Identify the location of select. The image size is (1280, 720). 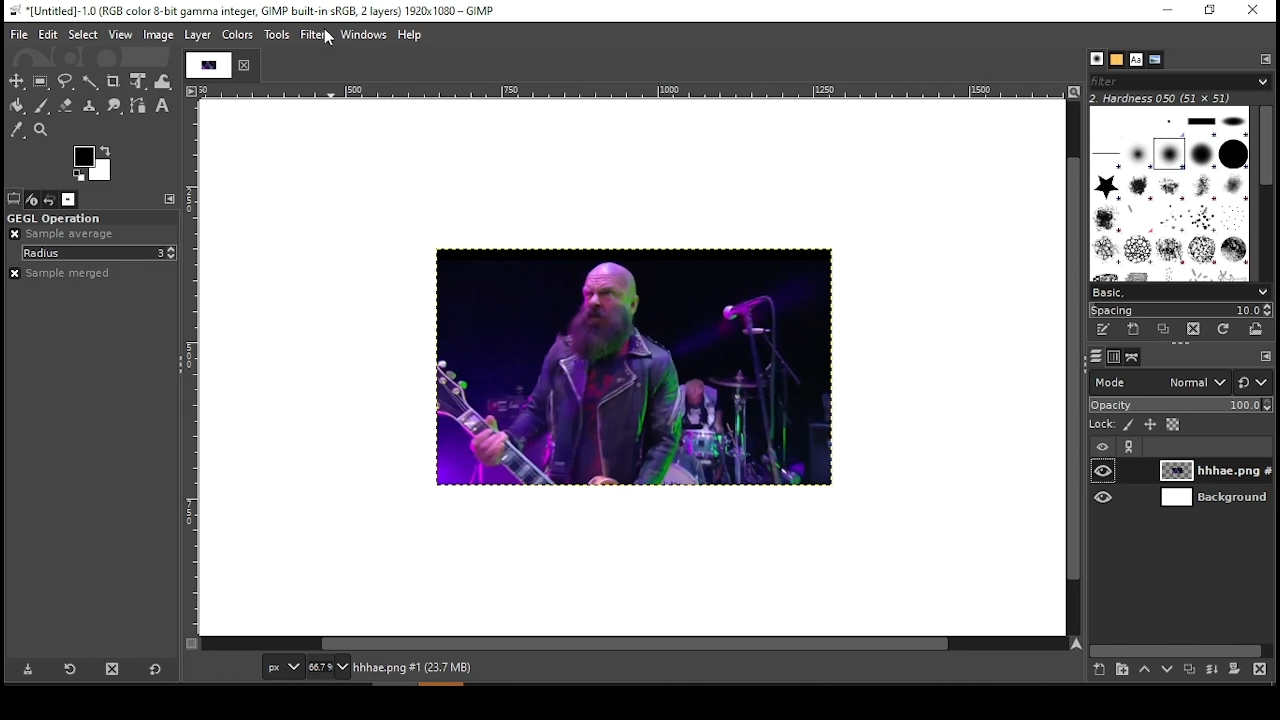
(83, 34).